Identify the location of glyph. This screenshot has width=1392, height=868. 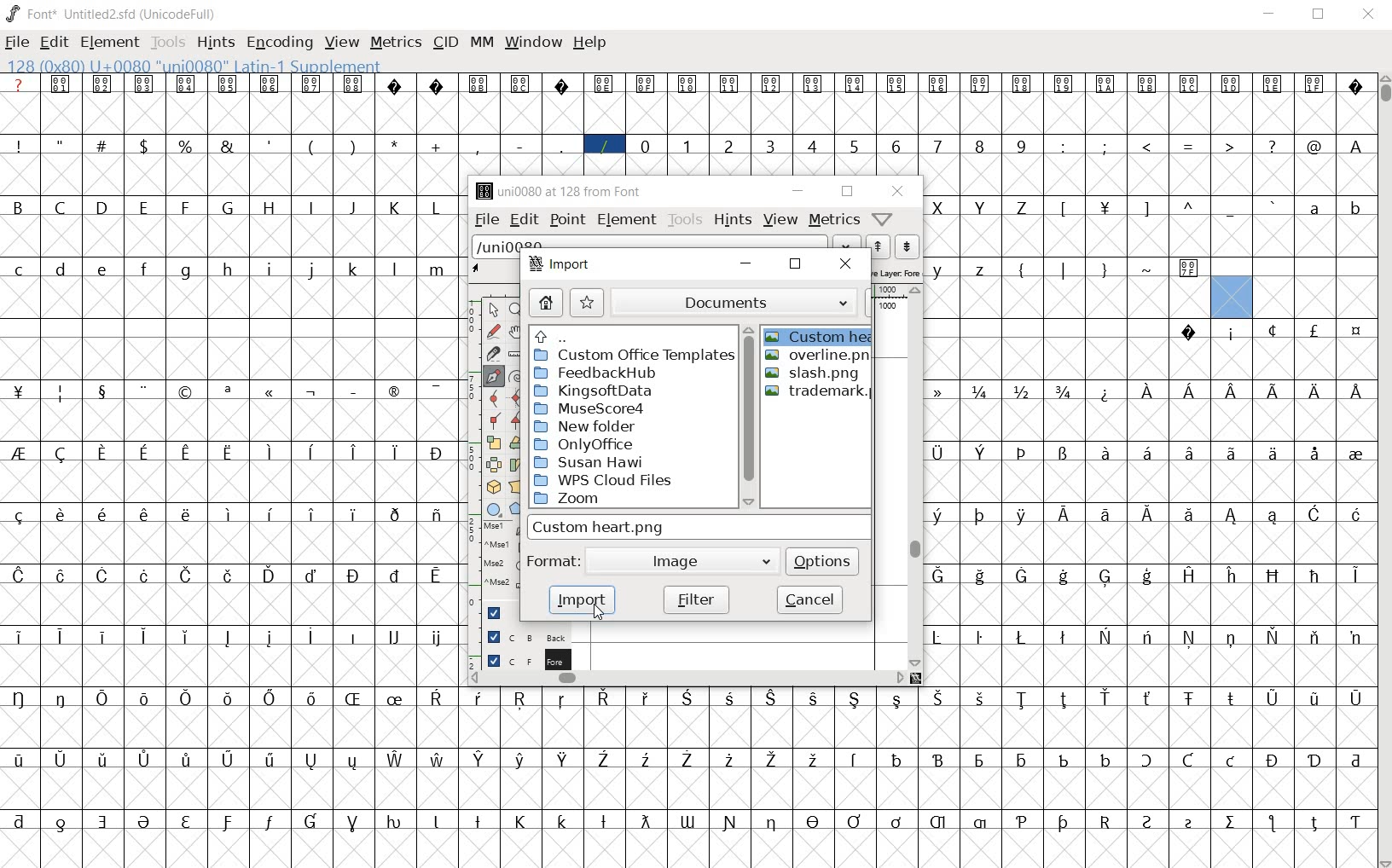
(1357, 211).